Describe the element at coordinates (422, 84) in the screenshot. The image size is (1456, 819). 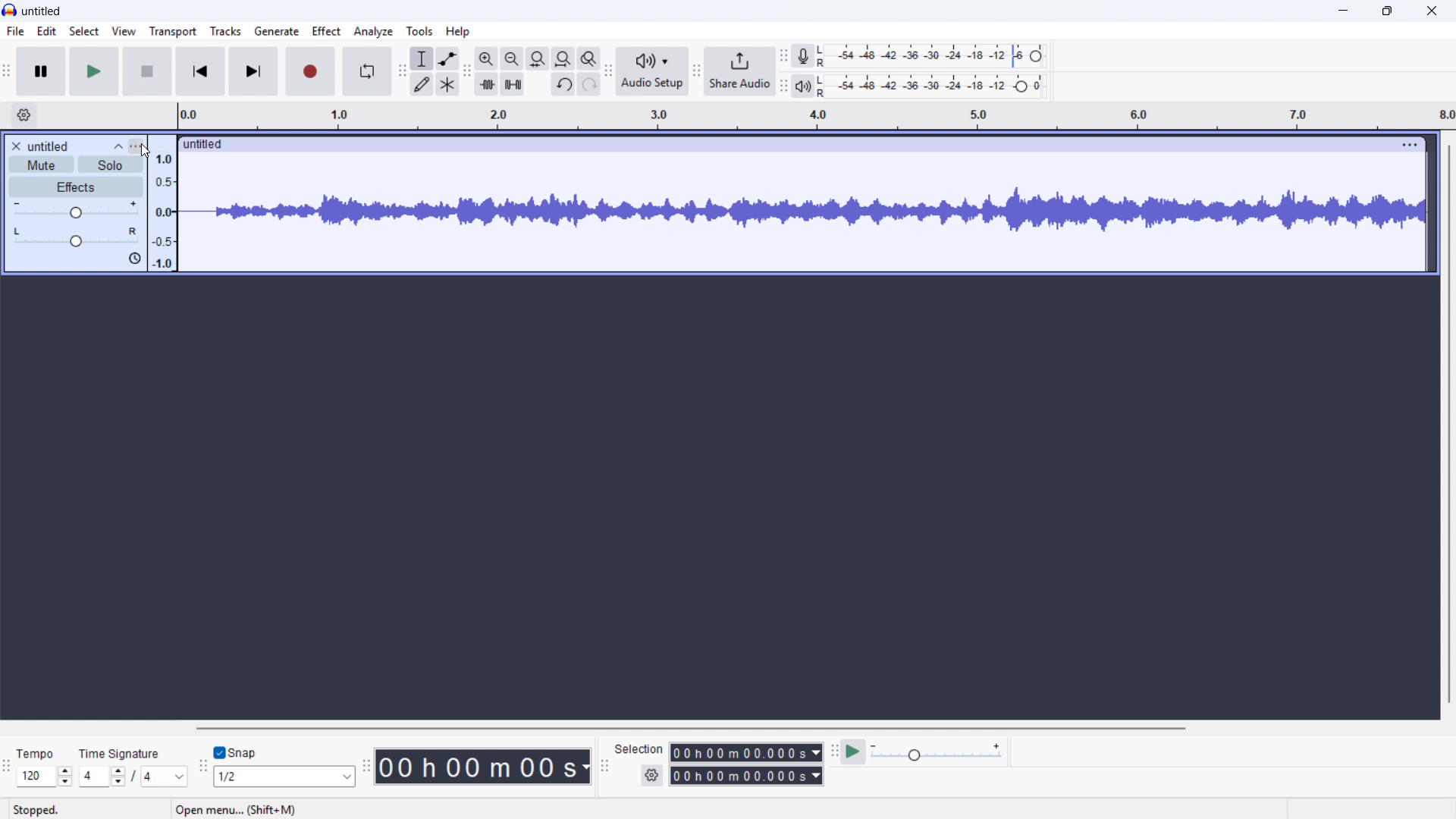
I see `Draw tool ` at that location.